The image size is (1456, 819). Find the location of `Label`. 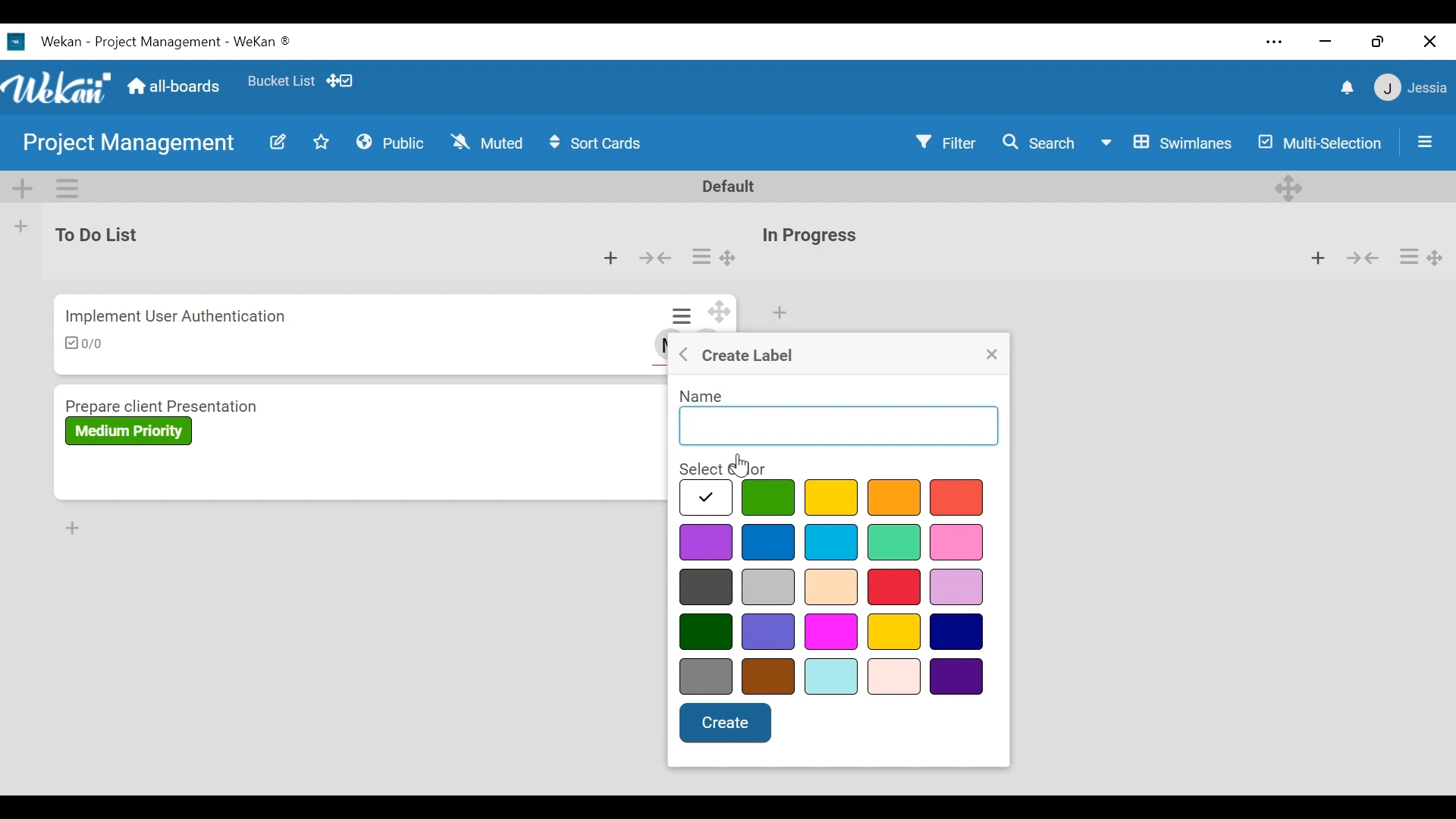

Label is located at coordinates (129, 431).